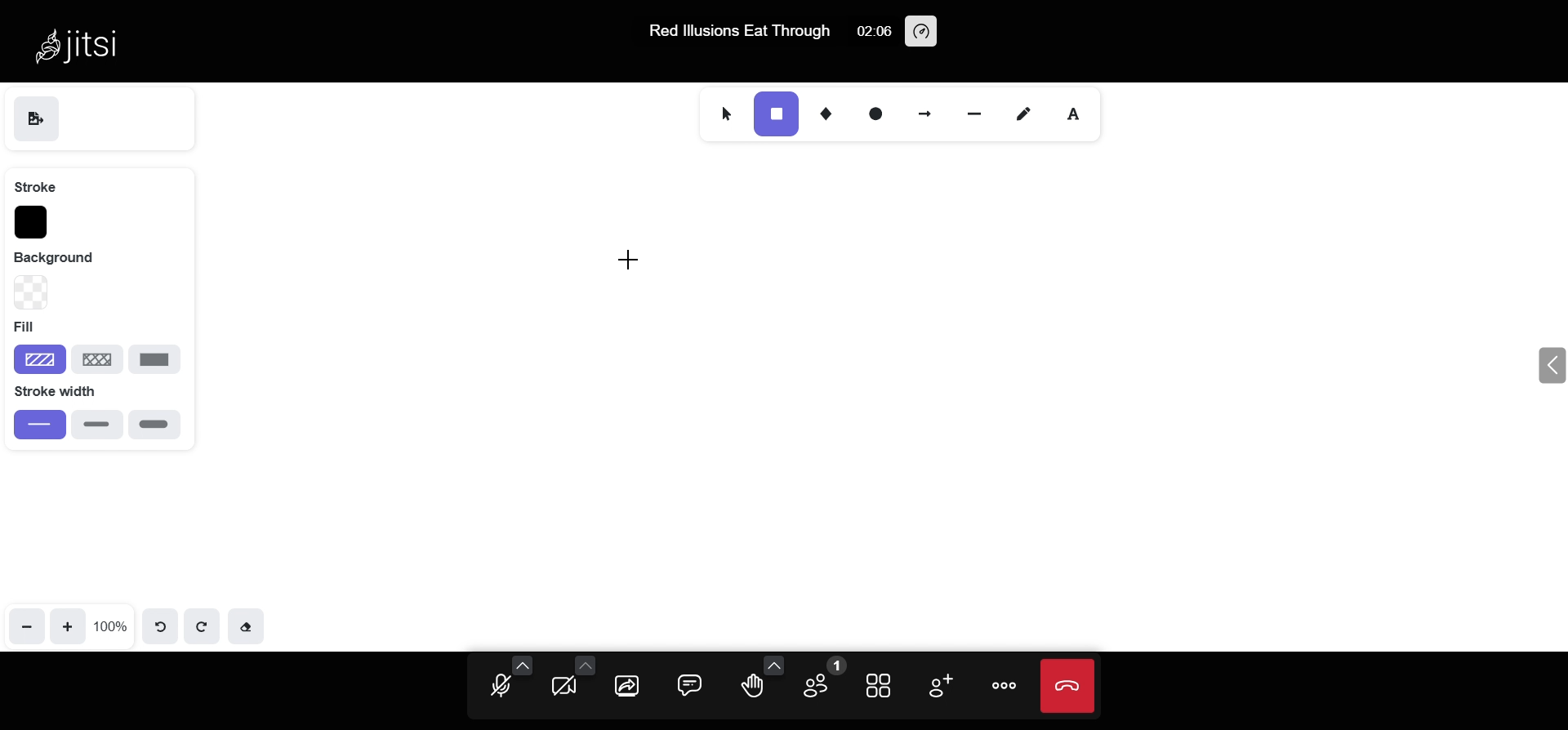 This screenshot has width=1568, height=730. I want to click on diamond, so click(830, 113).